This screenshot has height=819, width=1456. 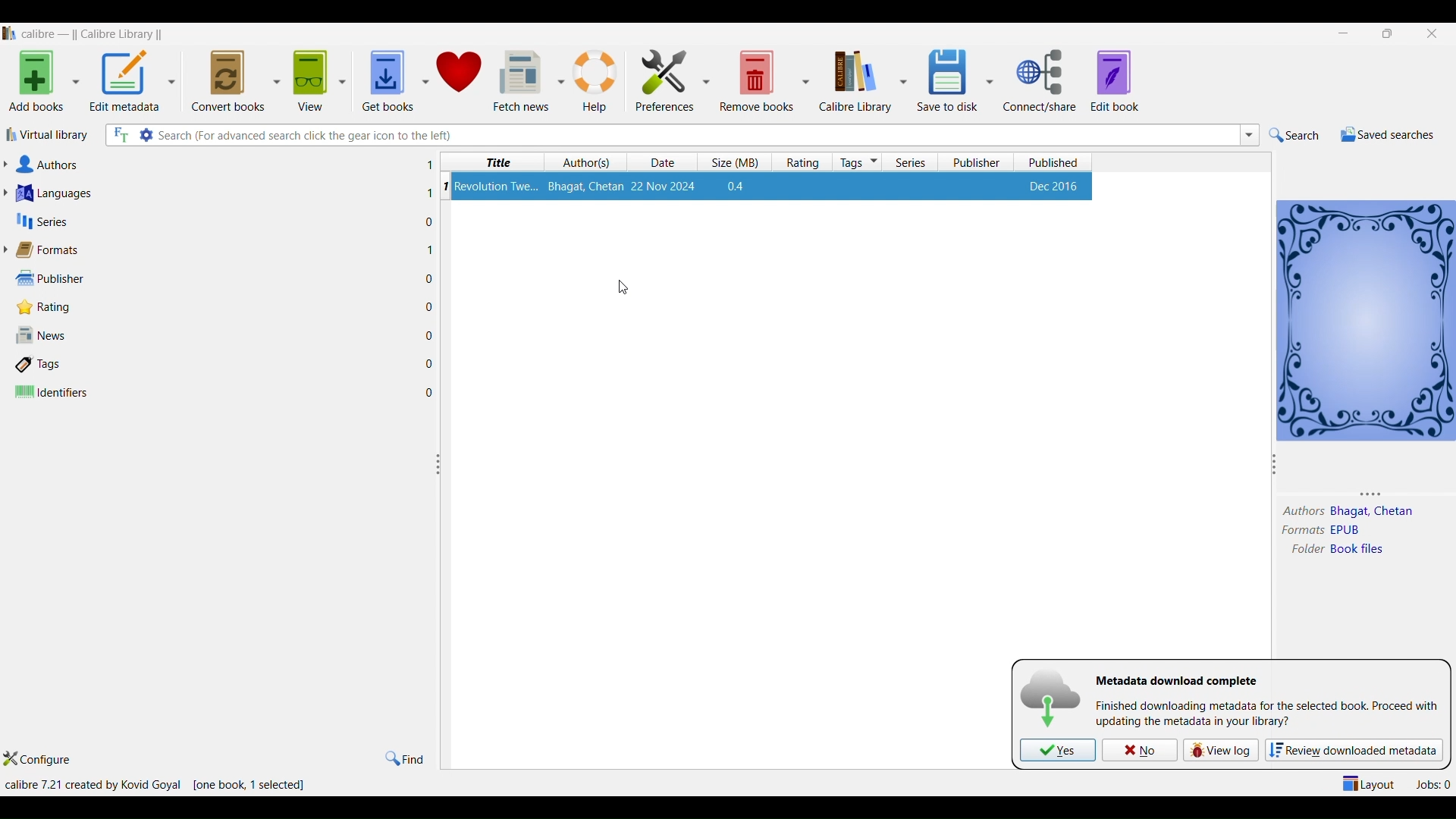 What do you see at coordinates (990, 80) in the screenshot?
I see `save to disc options dropdown button` at bounding box center [990, 80].